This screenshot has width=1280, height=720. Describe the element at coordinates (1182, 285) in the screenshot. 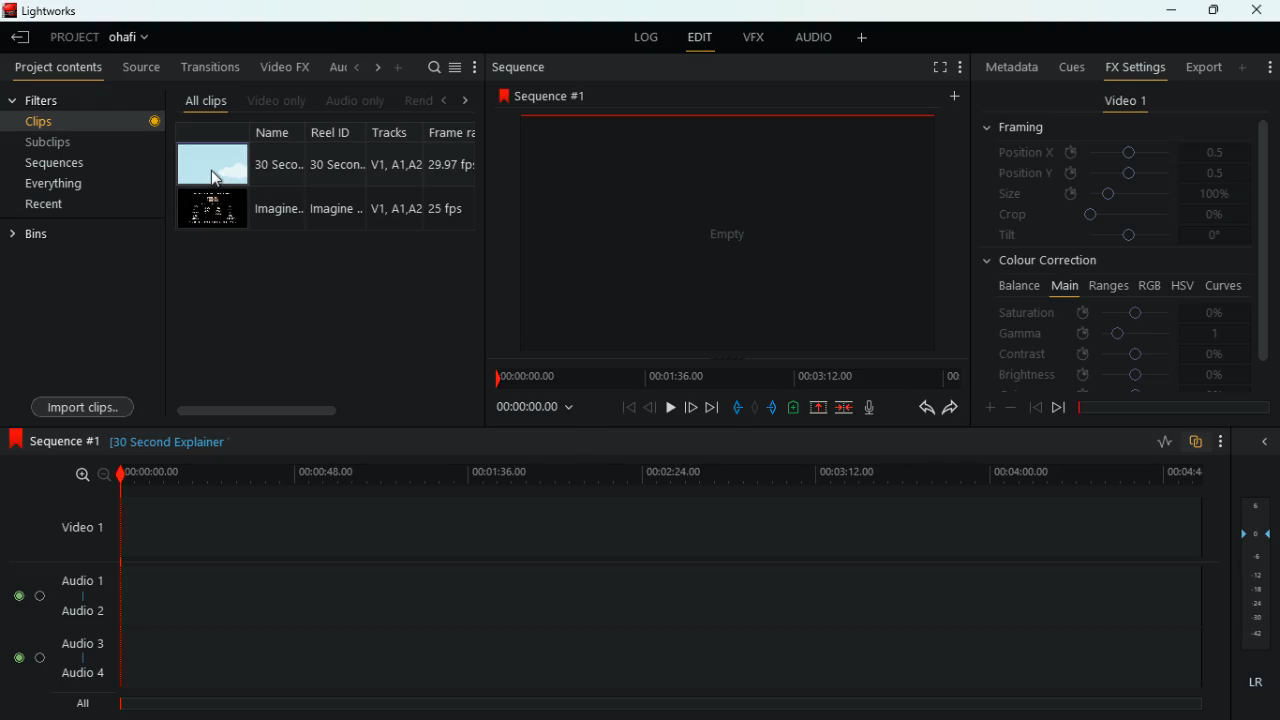

I see `hsv` at that location.